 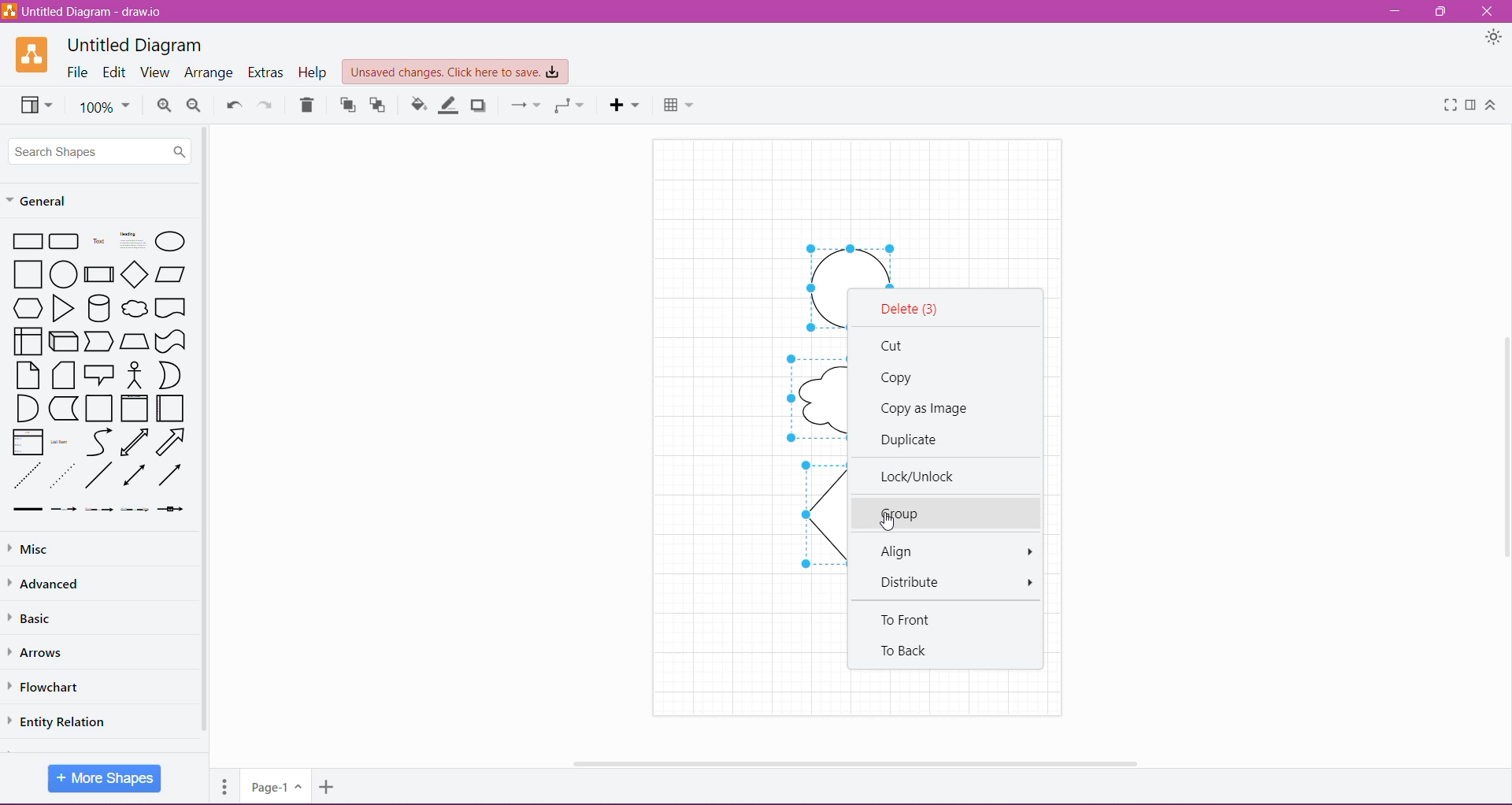 I want to click on To Front, so click(x=346, y=106).